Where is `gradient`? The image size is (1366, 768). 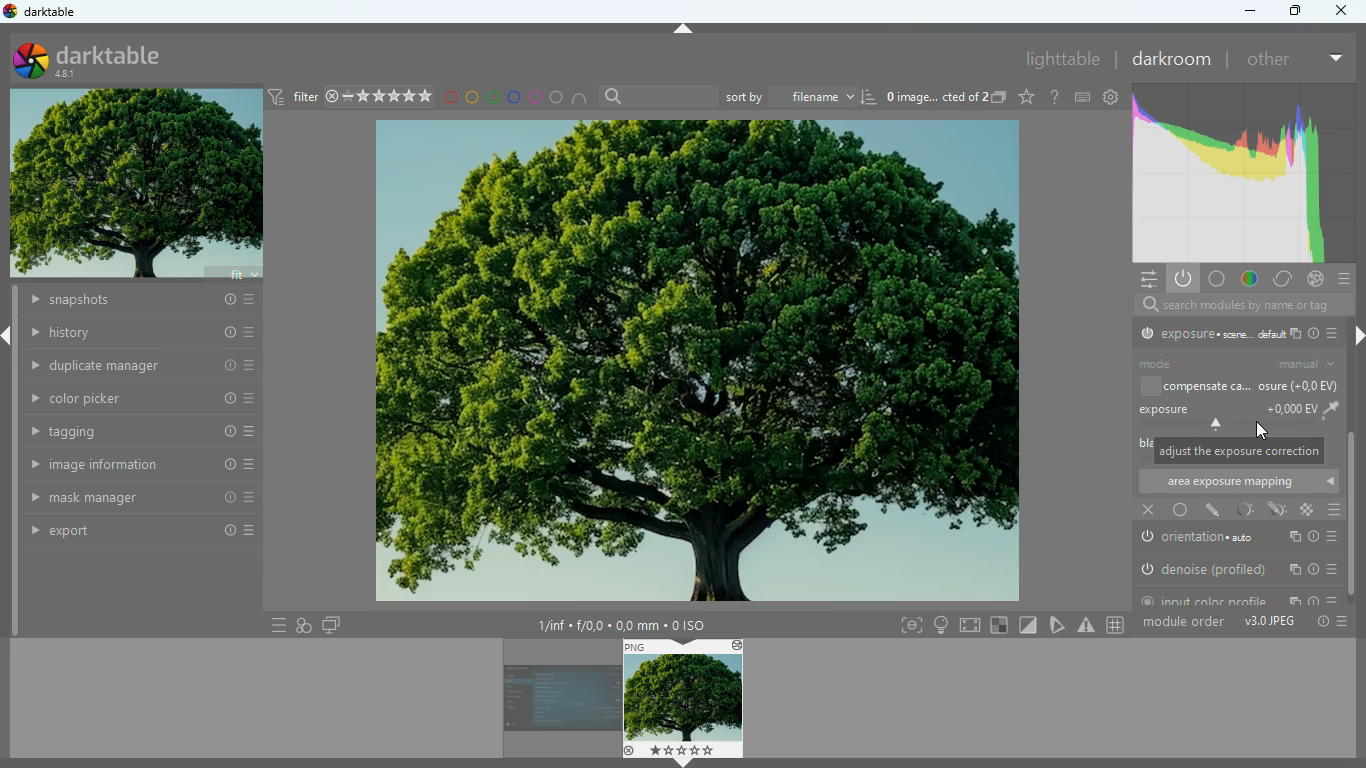
gradient is located at coordinates (1248, 174).